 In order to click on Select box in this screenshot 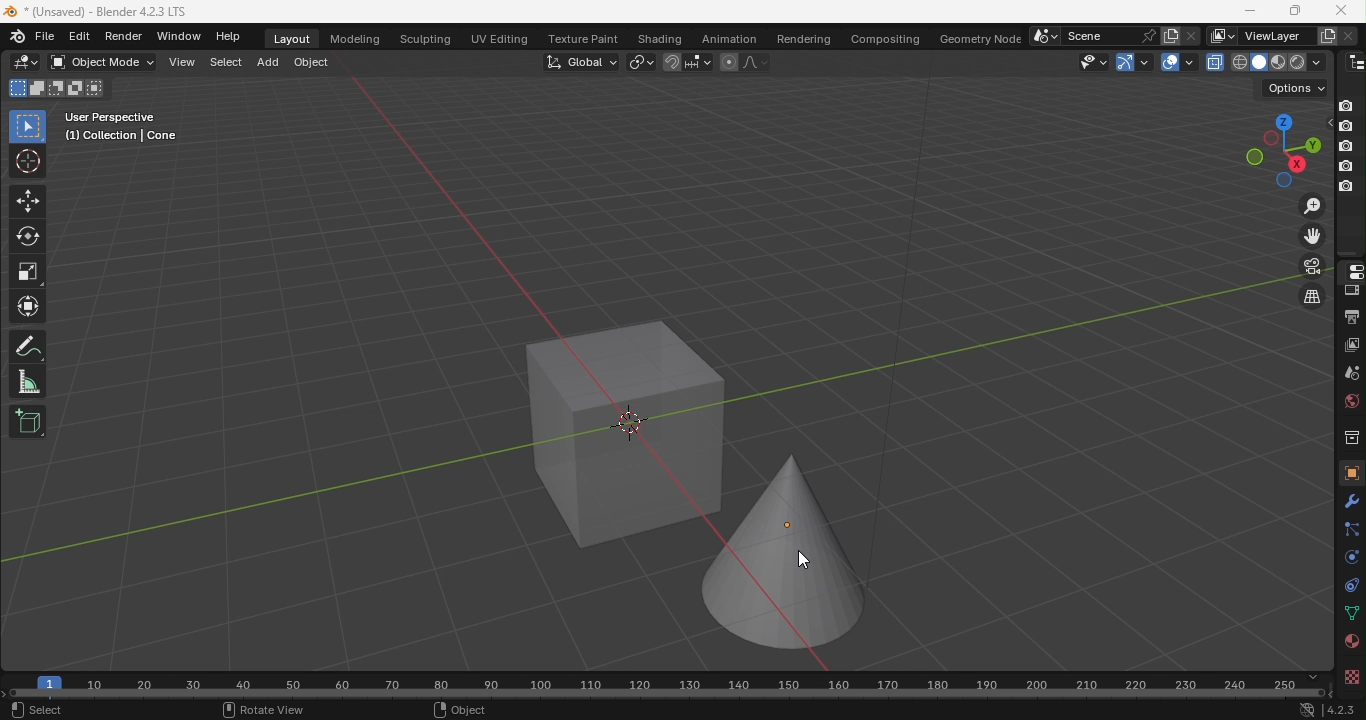, I will do `click(27, 127)`.